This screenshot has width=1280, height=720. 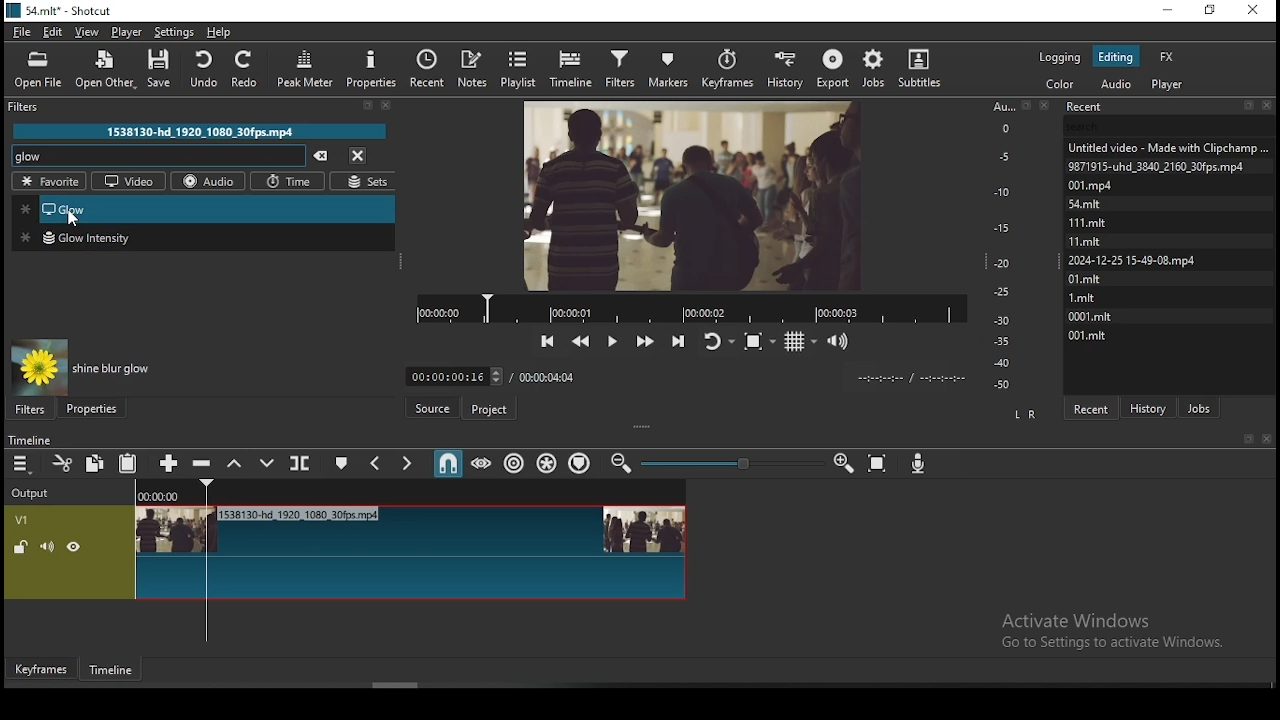 What do you see at coordinates (39, 367) in the screenshot?
I see `filter preview` at bounding box center [39, 367].